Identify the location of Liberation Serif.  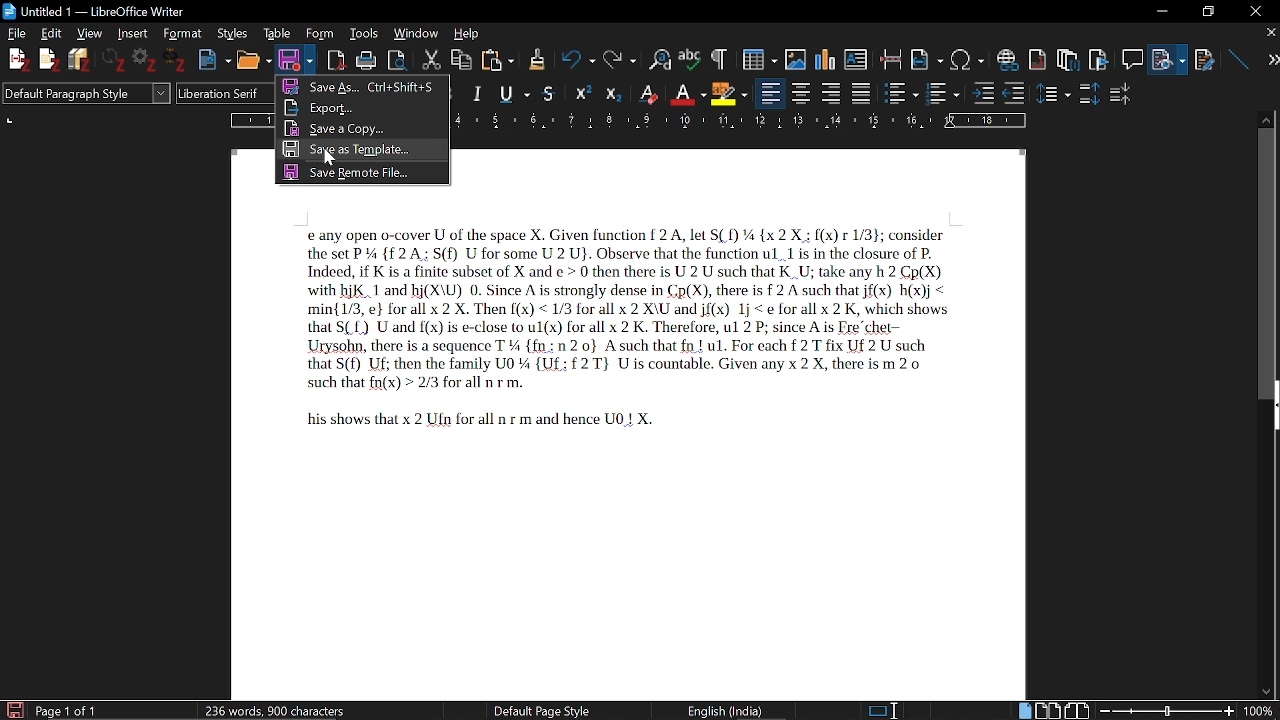
(219, 95).